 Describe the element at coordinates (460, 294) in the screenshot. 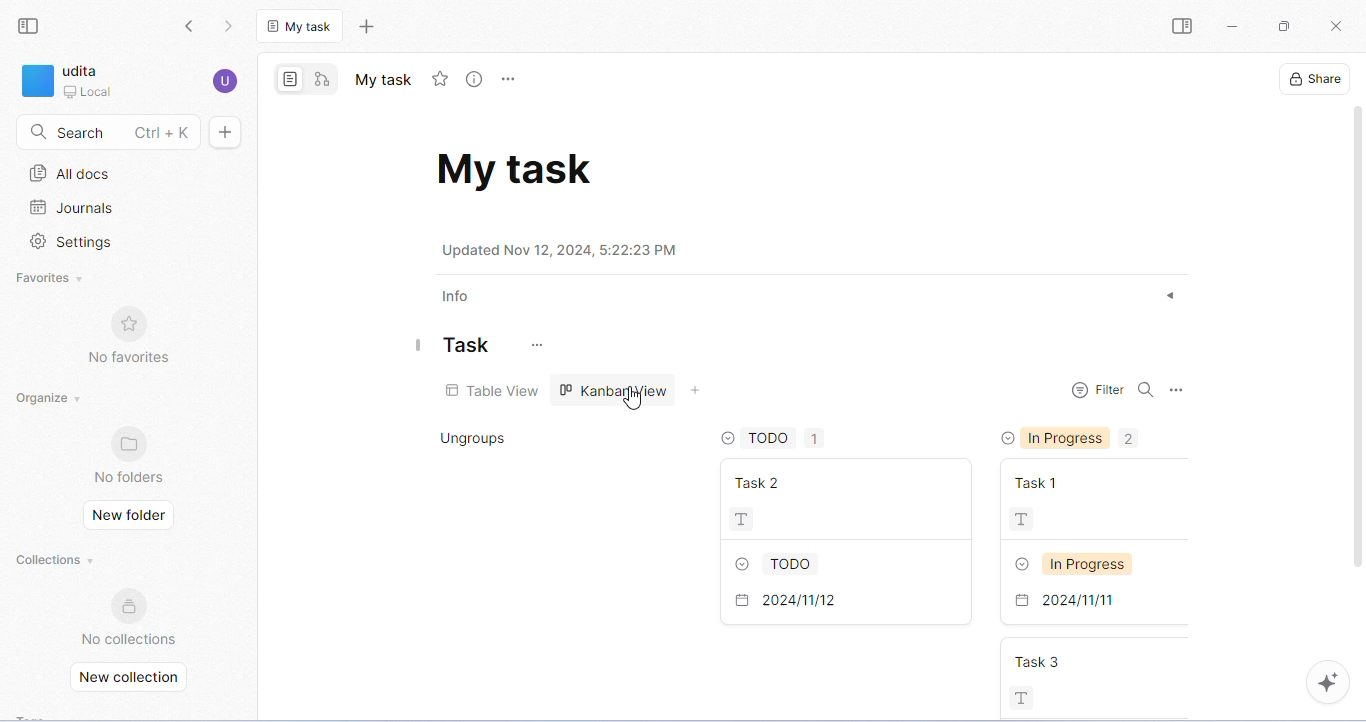

I see `info` at that location.